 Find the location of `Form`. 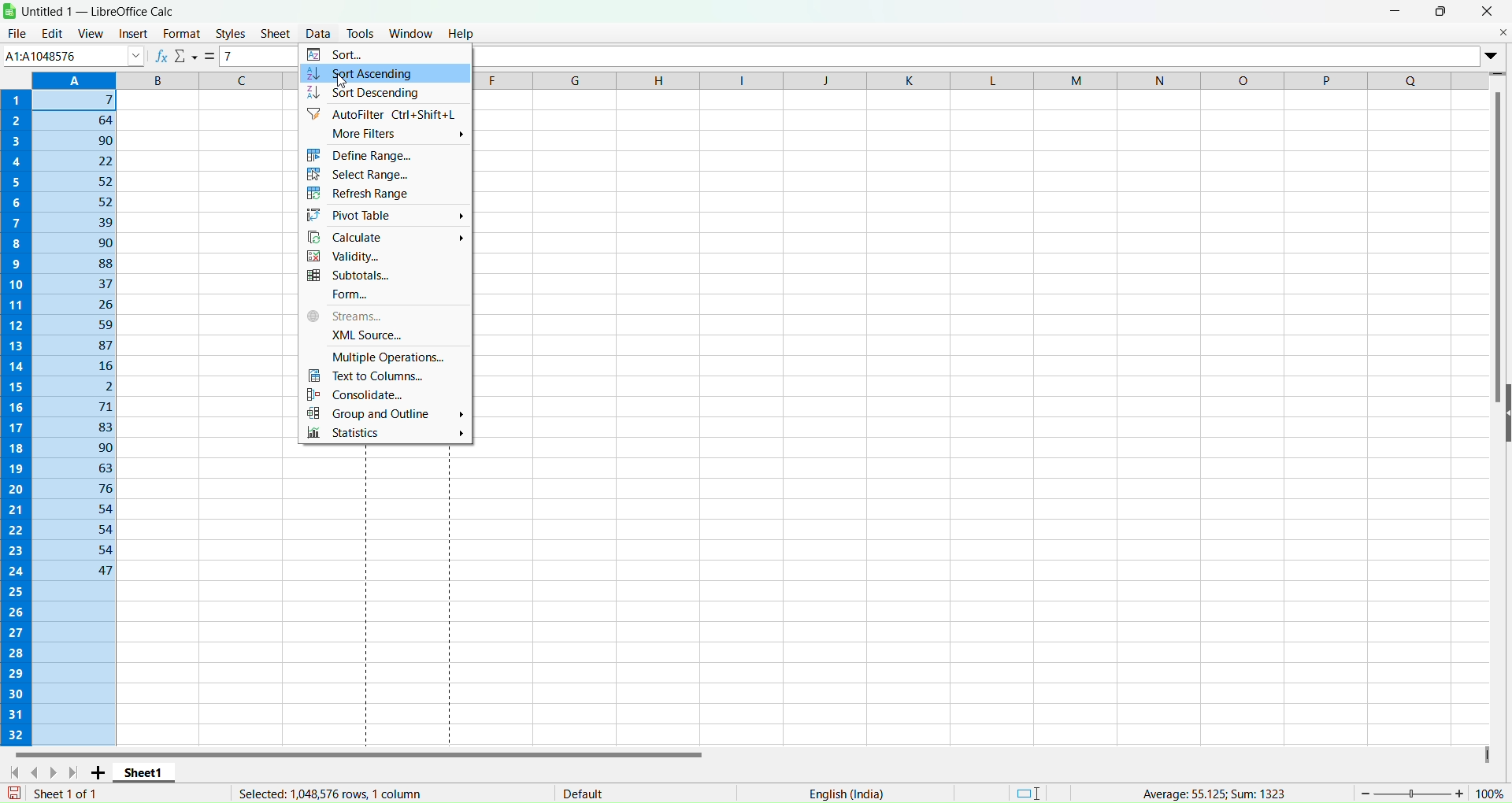

Form is located at coordinates (387, 296).